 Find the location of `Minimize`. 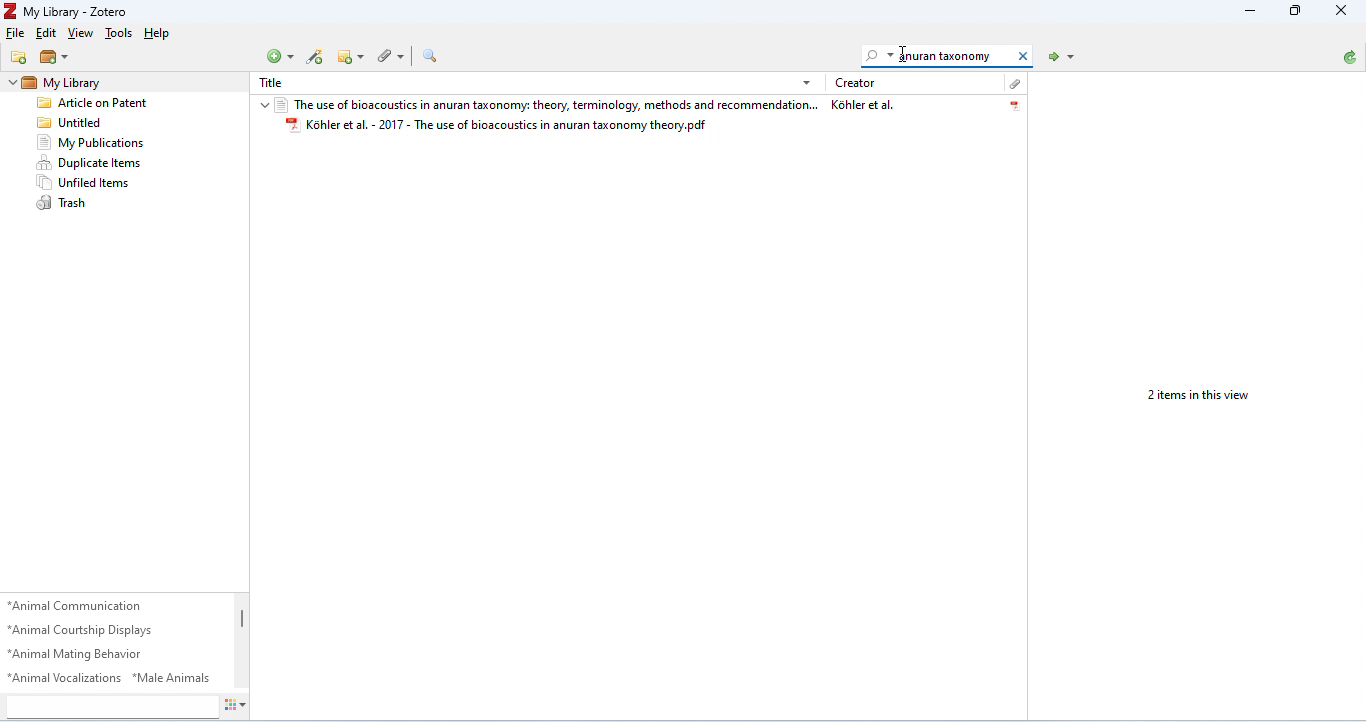

Minimize is located at coordinates (1297, 10).